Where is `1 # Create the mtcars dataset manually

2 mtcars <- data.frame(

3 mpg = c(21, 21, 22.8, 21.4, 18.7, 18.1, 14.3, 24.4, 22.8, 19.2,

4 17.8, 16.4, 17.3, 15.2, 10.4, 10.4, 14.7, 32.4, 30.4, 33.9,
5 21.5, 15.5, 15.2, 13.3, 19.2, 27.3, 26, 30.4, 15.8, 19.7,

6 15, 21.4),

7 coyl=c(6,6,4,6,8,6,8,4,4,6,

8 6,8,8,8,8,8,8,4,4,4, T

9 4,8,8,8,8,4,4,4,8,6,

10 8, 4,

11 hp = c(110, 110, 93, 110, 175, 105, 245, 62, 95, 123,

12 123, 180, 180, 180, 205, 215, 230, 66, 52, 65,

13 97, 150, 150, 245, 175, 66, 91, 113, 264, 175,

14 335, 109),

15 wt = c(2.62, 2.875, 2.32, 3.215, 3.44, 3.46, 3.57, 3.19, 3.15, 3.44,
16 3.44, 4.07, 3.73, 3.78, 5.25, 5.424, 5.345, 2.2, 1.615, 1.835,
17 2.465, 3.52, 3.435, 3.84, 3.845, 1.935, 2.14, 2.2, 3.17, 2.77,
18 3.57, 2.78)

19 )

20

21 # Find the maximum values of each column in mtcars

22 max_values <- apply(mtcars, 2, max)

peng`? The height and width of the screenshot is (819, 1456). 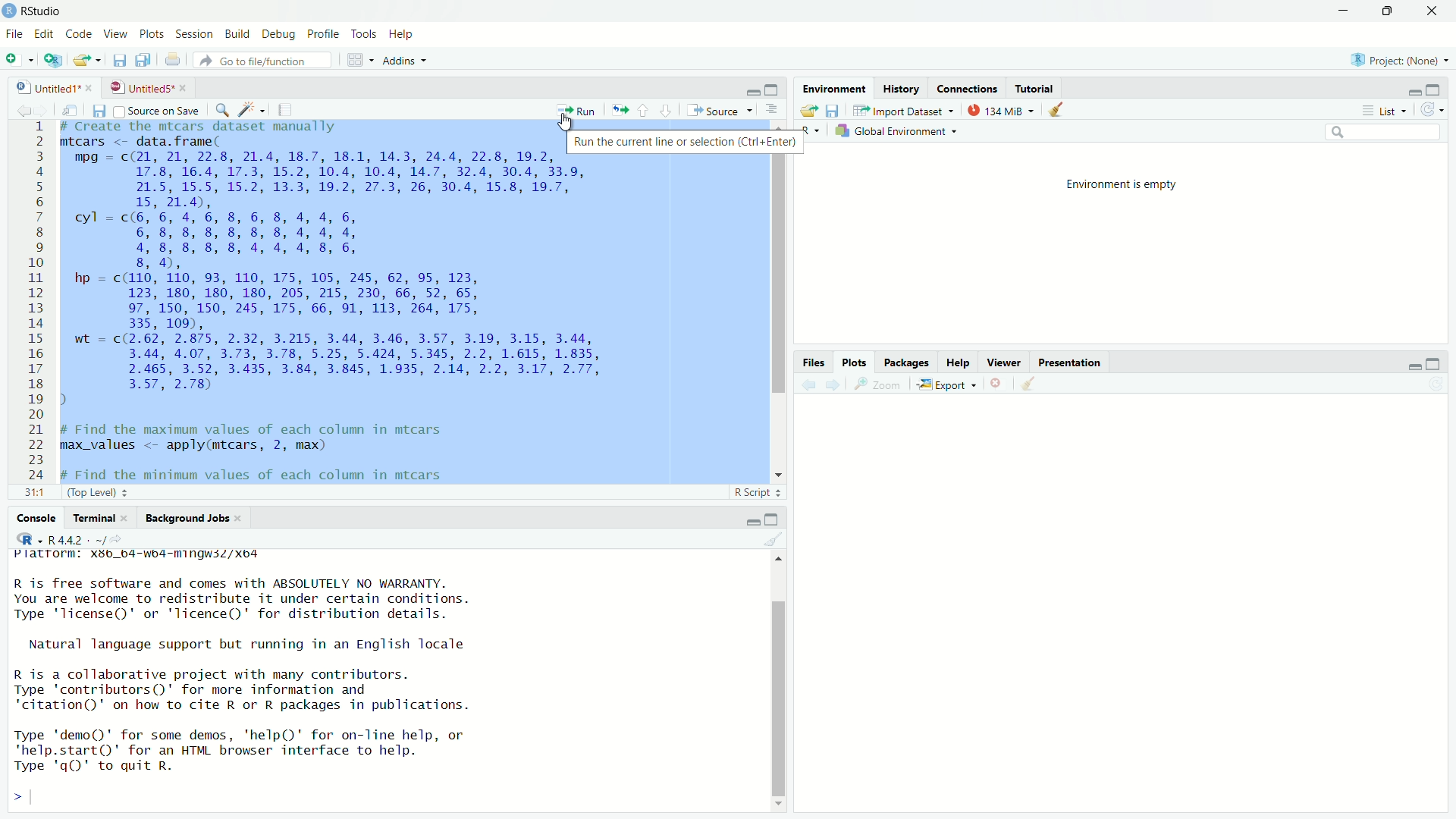
1 # Create the mtcars dataset manually

2 mtcars <- data.frame(

3 mpg = c(21, 21, 22.8, 21.4, 18.7, 18.1, 14.3, 24.4, 22.8, 19.2,

4 17.8, 16.4, 17.3, 15.2, 10.4, 10.4, 14.7, 32.4, 30.4, 33.9,
5 21.5, 15.5, 15.2, 13.3, 19.2, 27.3, 26, 30.4, 15.8, 19.7,

6 15, 21.4),

7 coyl=c(6,6,4,6,8,6,8,4,4,6,

8 6,8,8,8,8,8,8,4,4,4, T

9 4,8,8,8,8,4,4,4,8,6,

10 8, 4,

11 hp = c(110, 110, 93, 110, 175, 105, 245, 62, 95, 123,

12 123, 180, 180, 180, 205, 215, 230, 66, 52, 65,

13 97, 150, 150, 245, 175, 66, 91, 113, 264, 175,

14 335, 109),

15 wt = c(2.62, 2.875, 2.32, 3.215, 3.44, 3.46, 3.57, 3.19, 3.15, 3.44,
16 3.44, 4.07, 3.73, 3.78, 5.25, 5.424, 5.345, 2.2, 1.615, 1.835,
17 2.465, 3.52, 3.435, 3.84, 3.845, 1.935, 2.14, 2.2, 3.17, 2.77,
18 3.57, 2.78)

19 )

20

21 # Find the maximum values of each column in mtcars

22 max_values <- apply(mtcars, 2, max)

peng is located at coordinates (350, 300).